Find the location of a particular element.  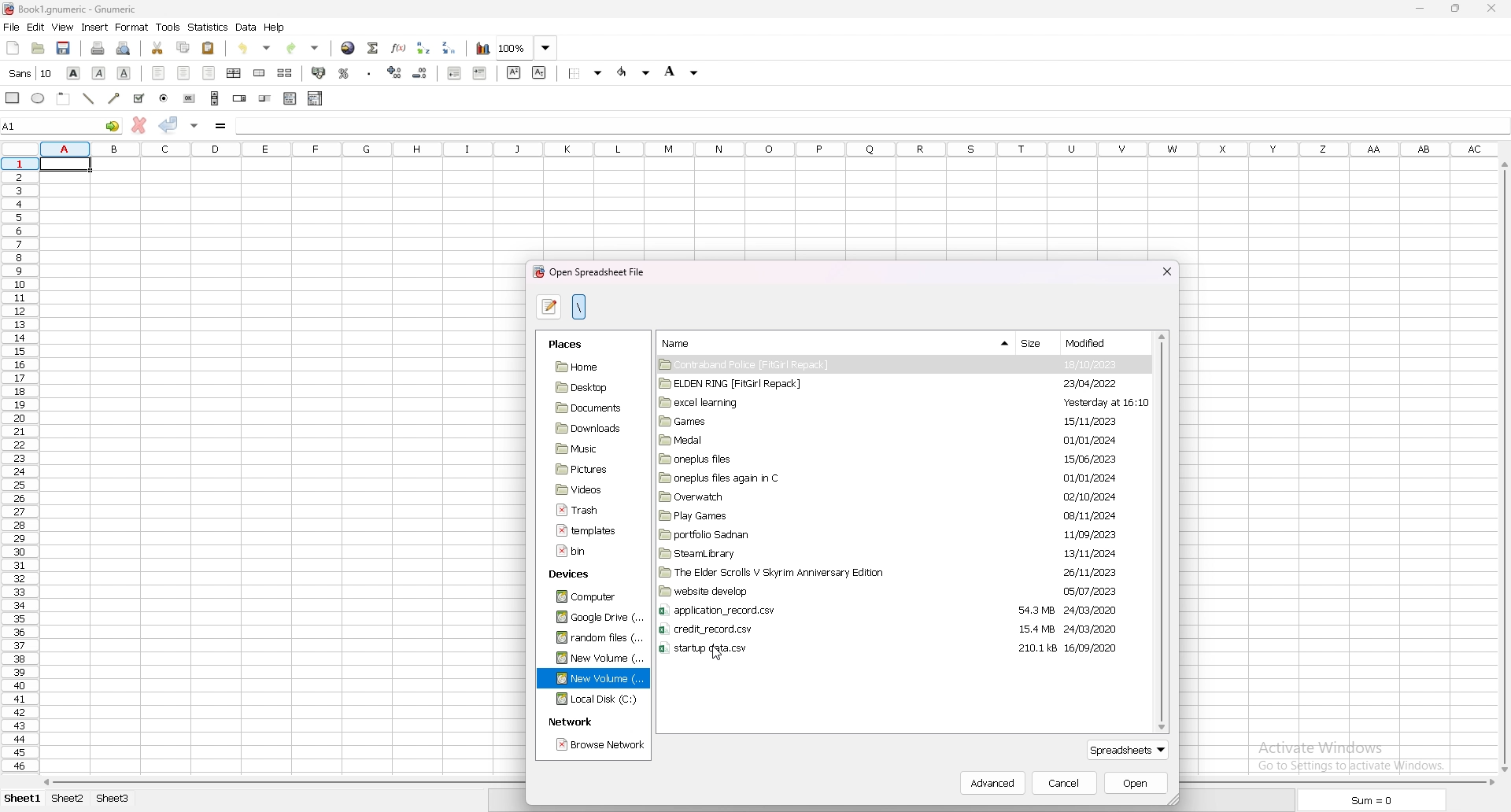

location is located at coordinates (579, 307).